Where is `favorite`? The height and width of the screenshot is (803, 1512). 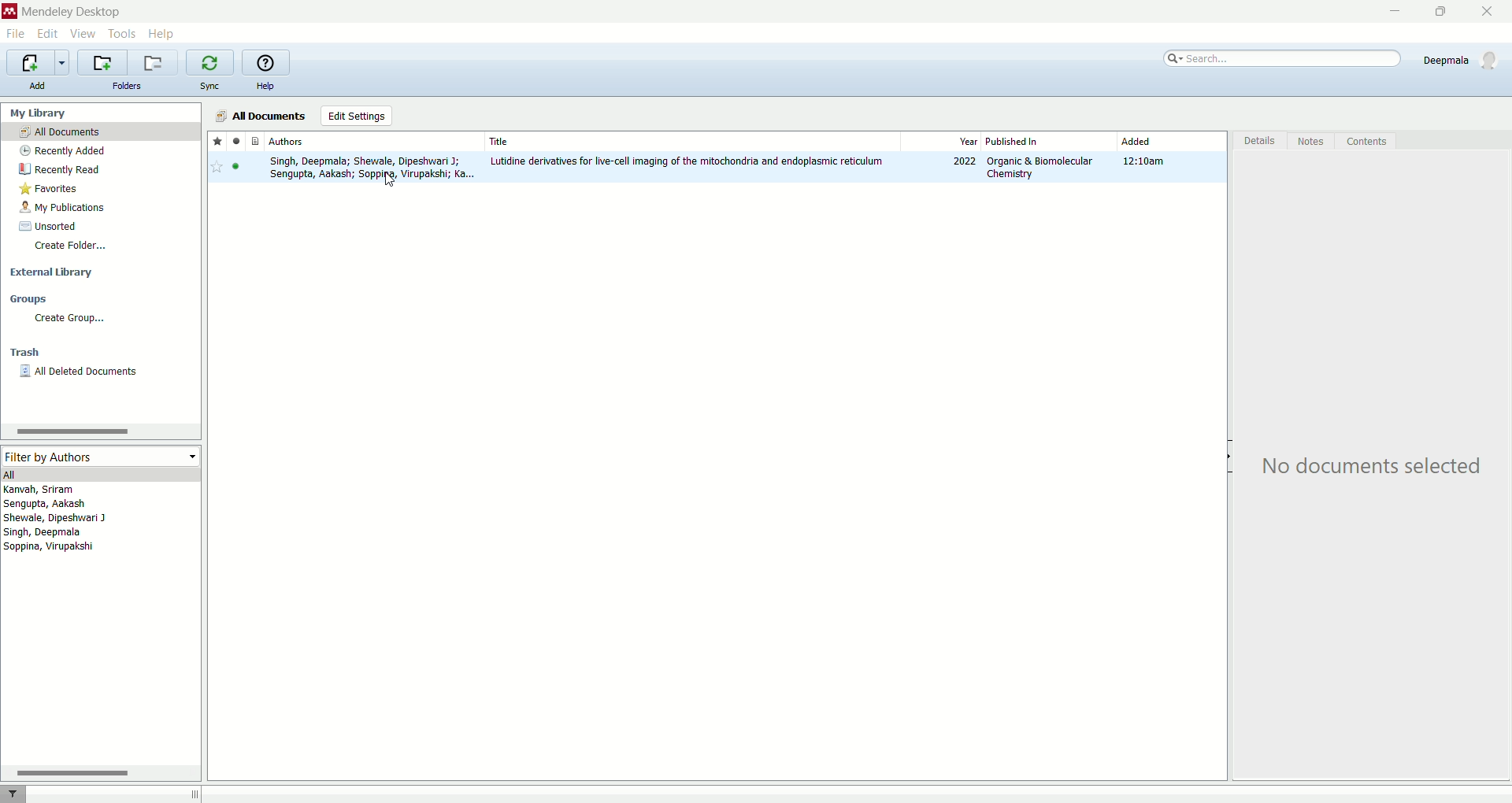 favorite is located at coordinates (217, 142).